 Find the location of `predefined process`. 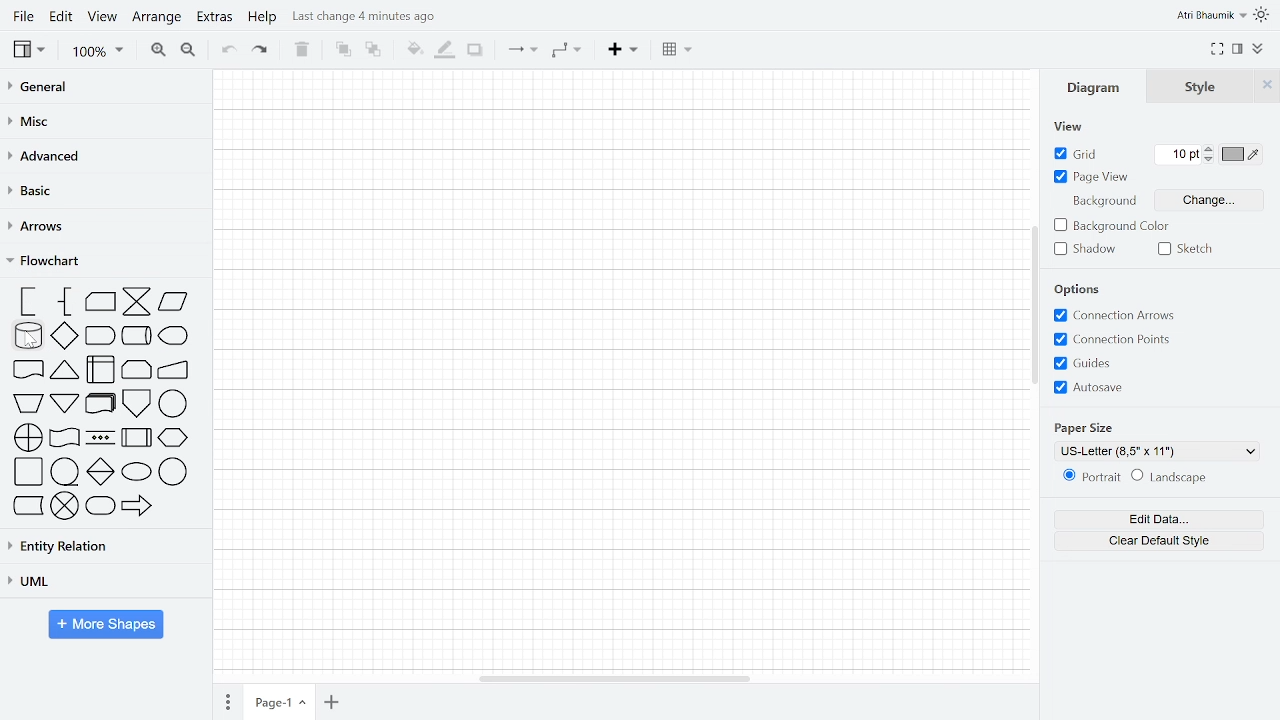

predefined process is located at coordinates (134, 439).